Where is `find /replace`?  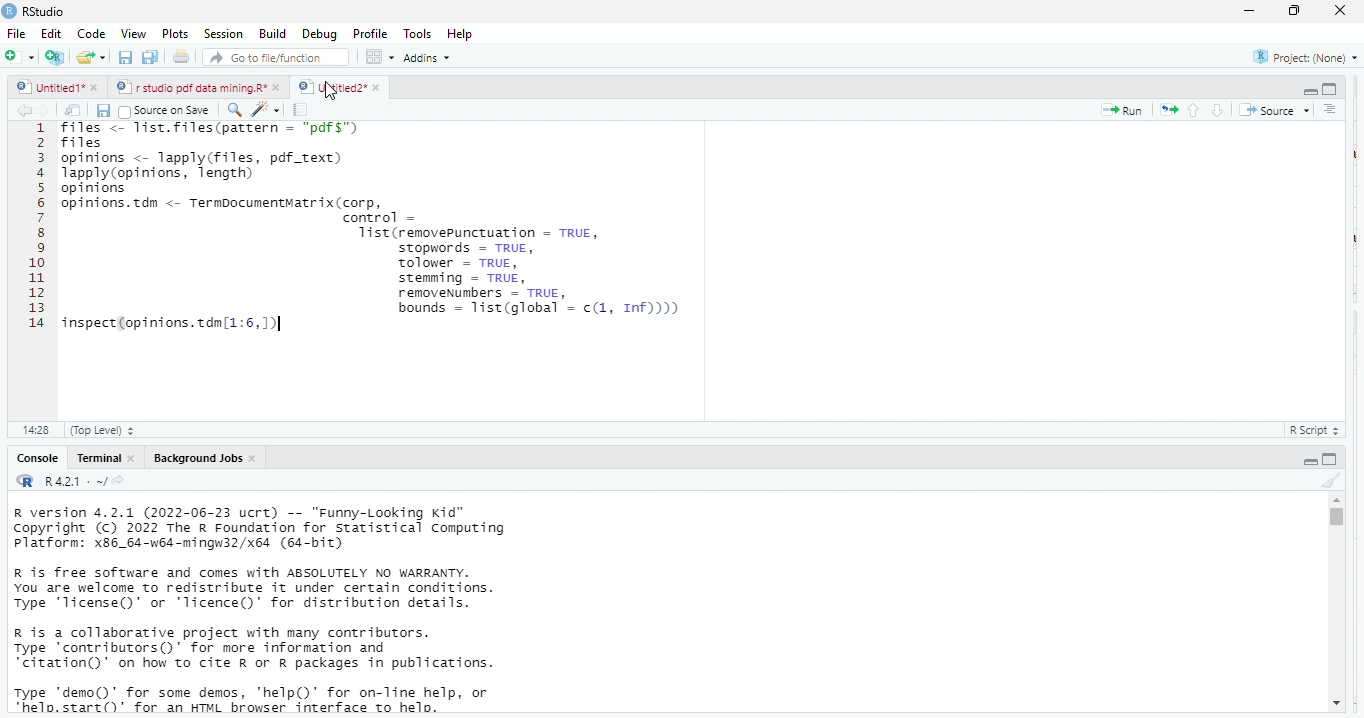
find /replace is located at coordinates (234, 109).